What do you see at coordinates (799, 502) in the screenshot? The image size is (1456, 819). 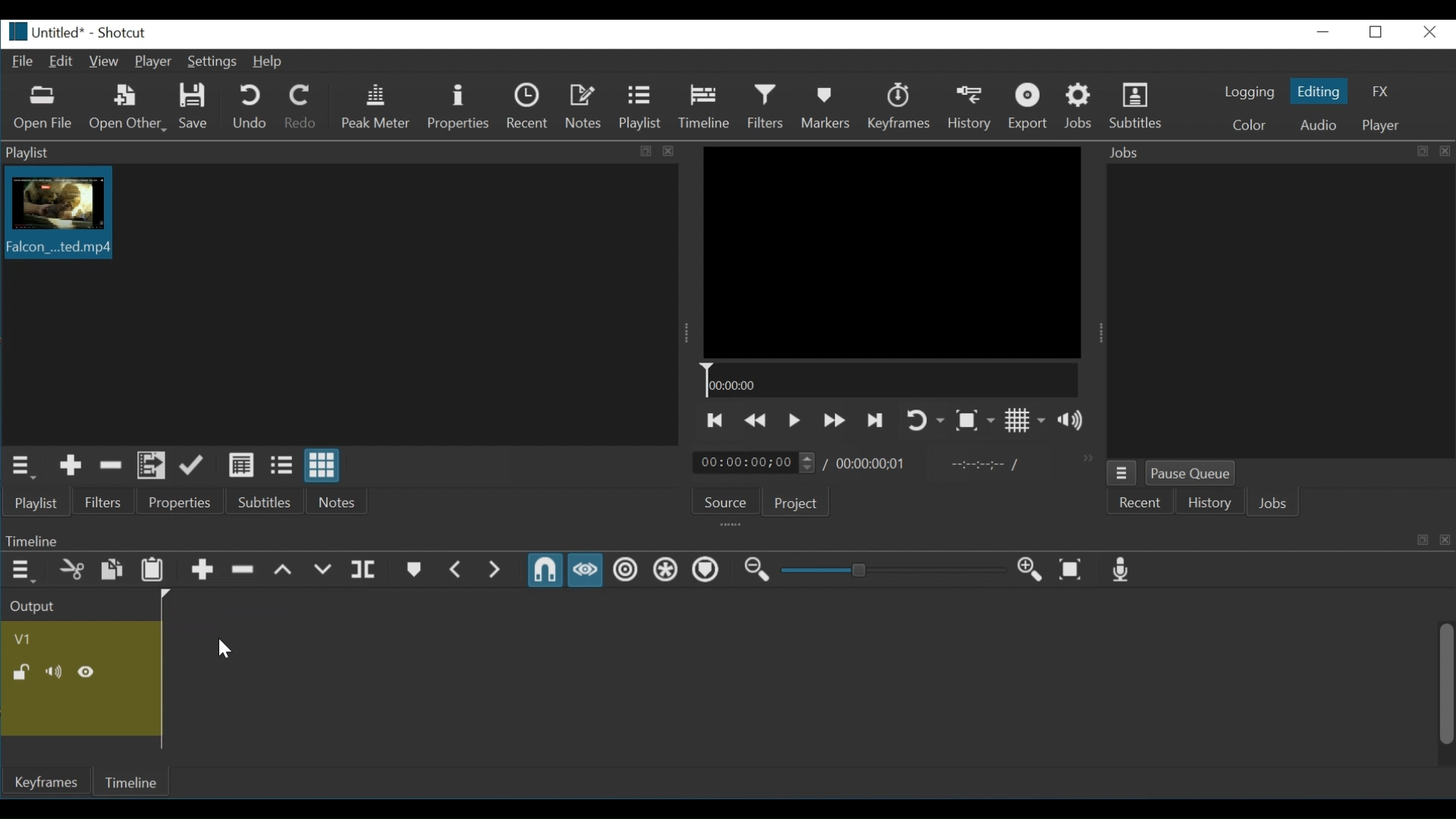 I see `Project` at bounding box center [799, 502].